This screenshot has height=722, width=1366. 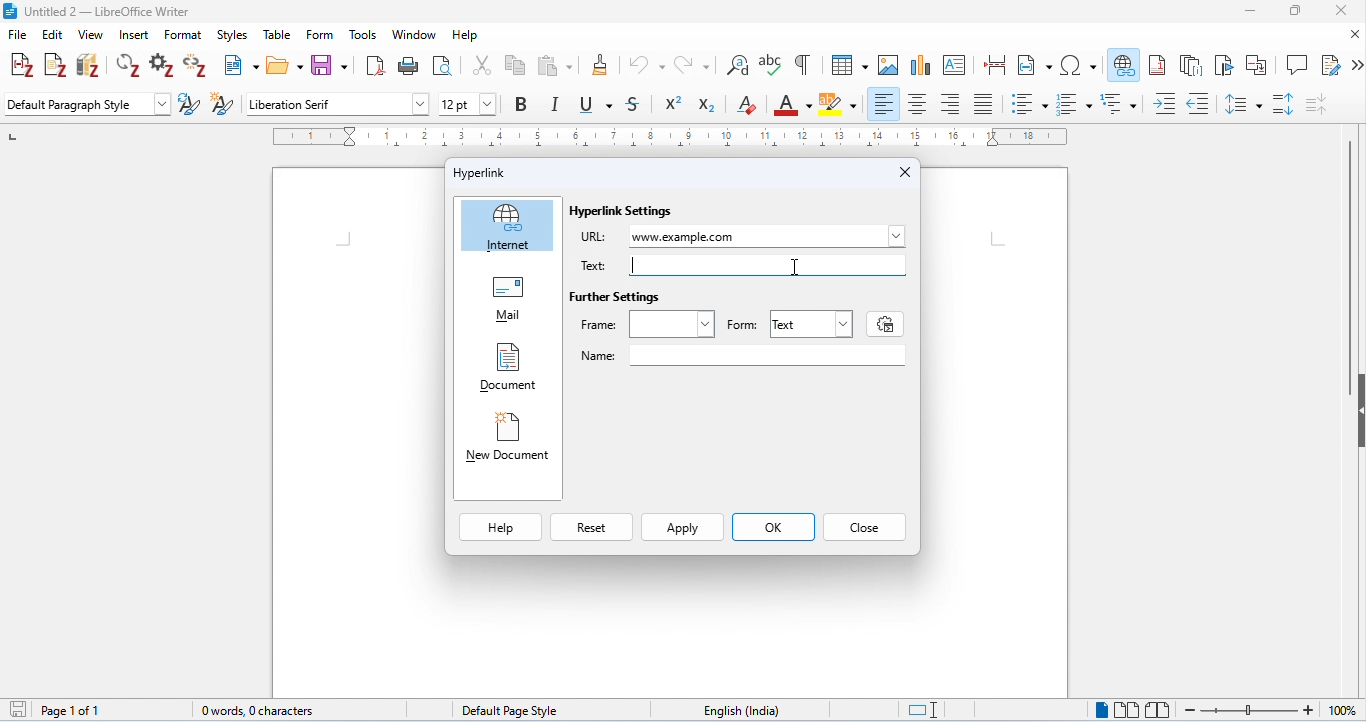 What do you see at coordinates (284, 64) in the screenshot?
I see `open` at bounding box center [284, 64].